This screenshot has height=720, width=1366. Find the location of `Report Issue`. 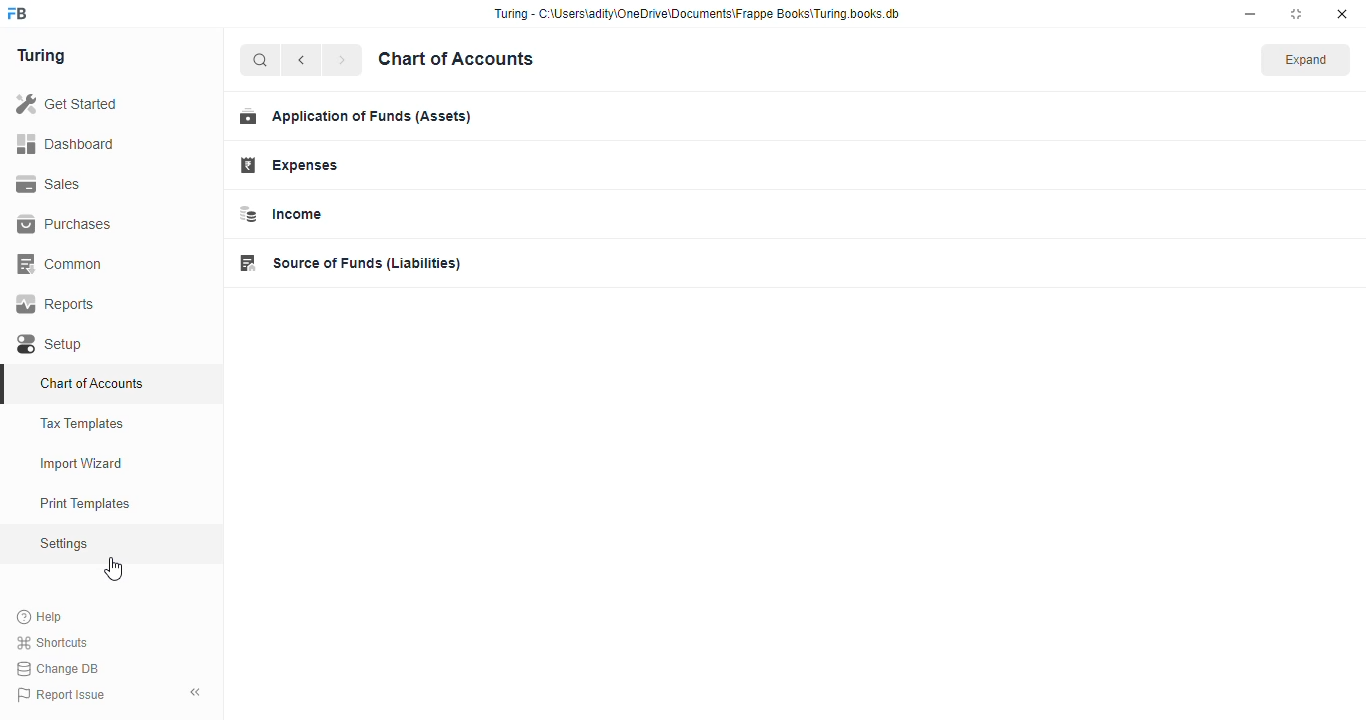

Report Issue is located at coordinates (63, 695).